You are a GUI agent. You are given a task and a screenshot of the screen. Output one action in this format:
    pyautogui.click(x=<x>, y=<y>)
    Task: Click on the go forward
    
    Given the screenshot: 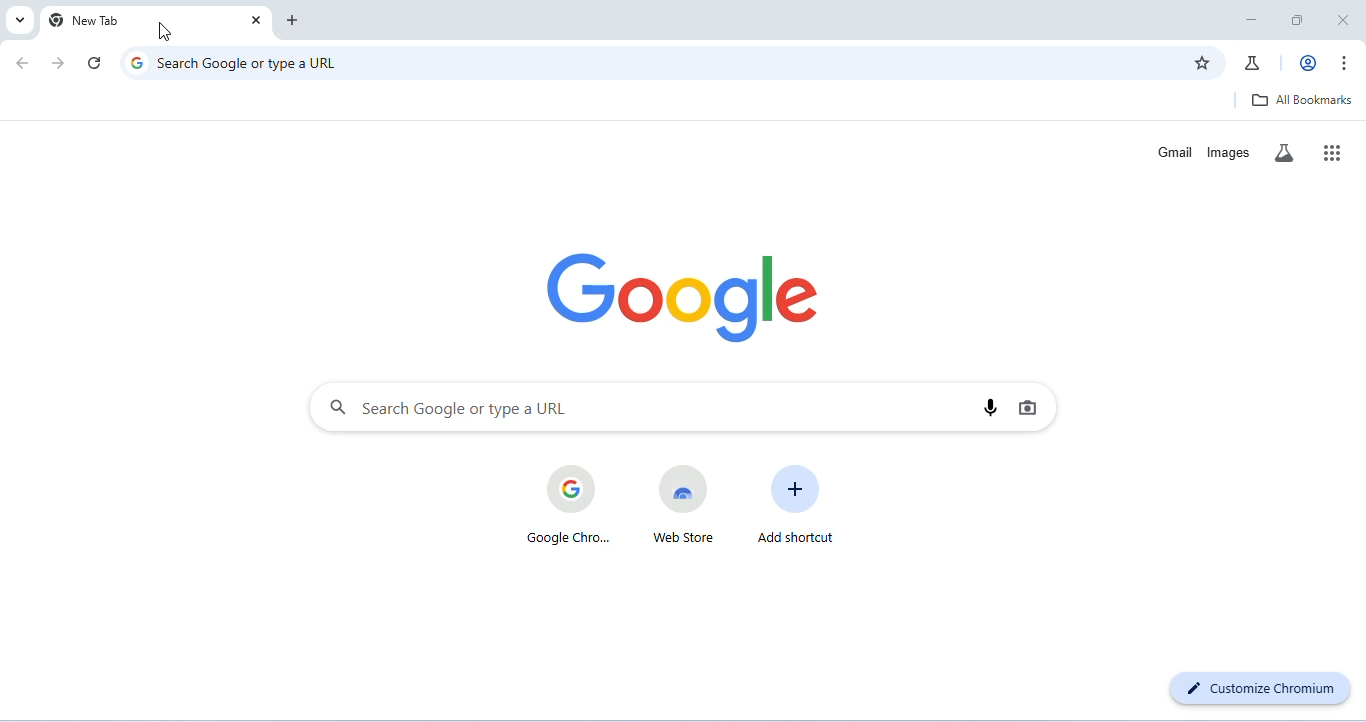 What is the action you would take?
    pyautogui.click(x=61, y=63)
    